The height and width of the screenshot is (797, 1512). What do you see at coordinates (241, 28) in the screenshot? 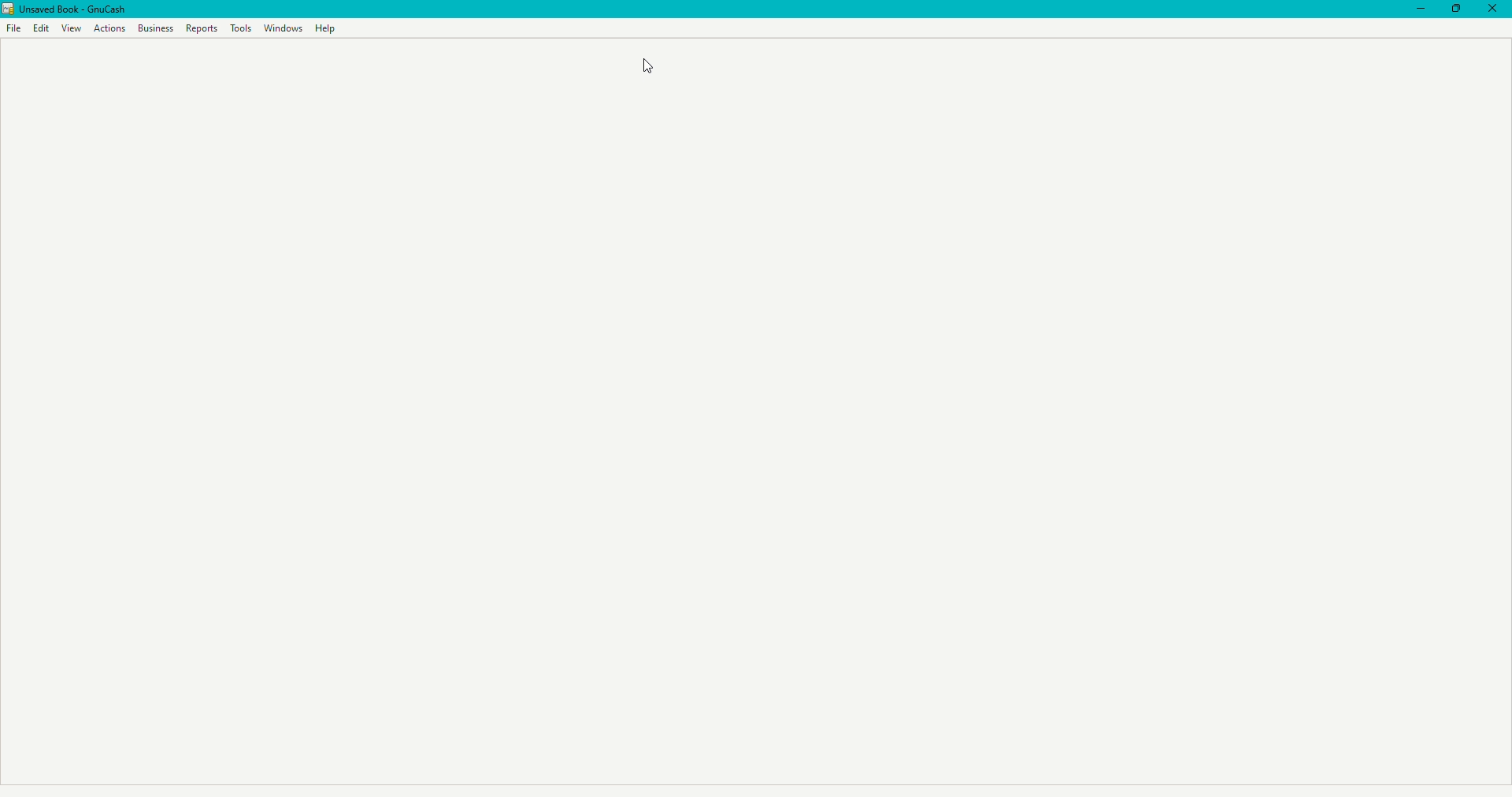
I see `Tools` at bounding box center [241, 28].